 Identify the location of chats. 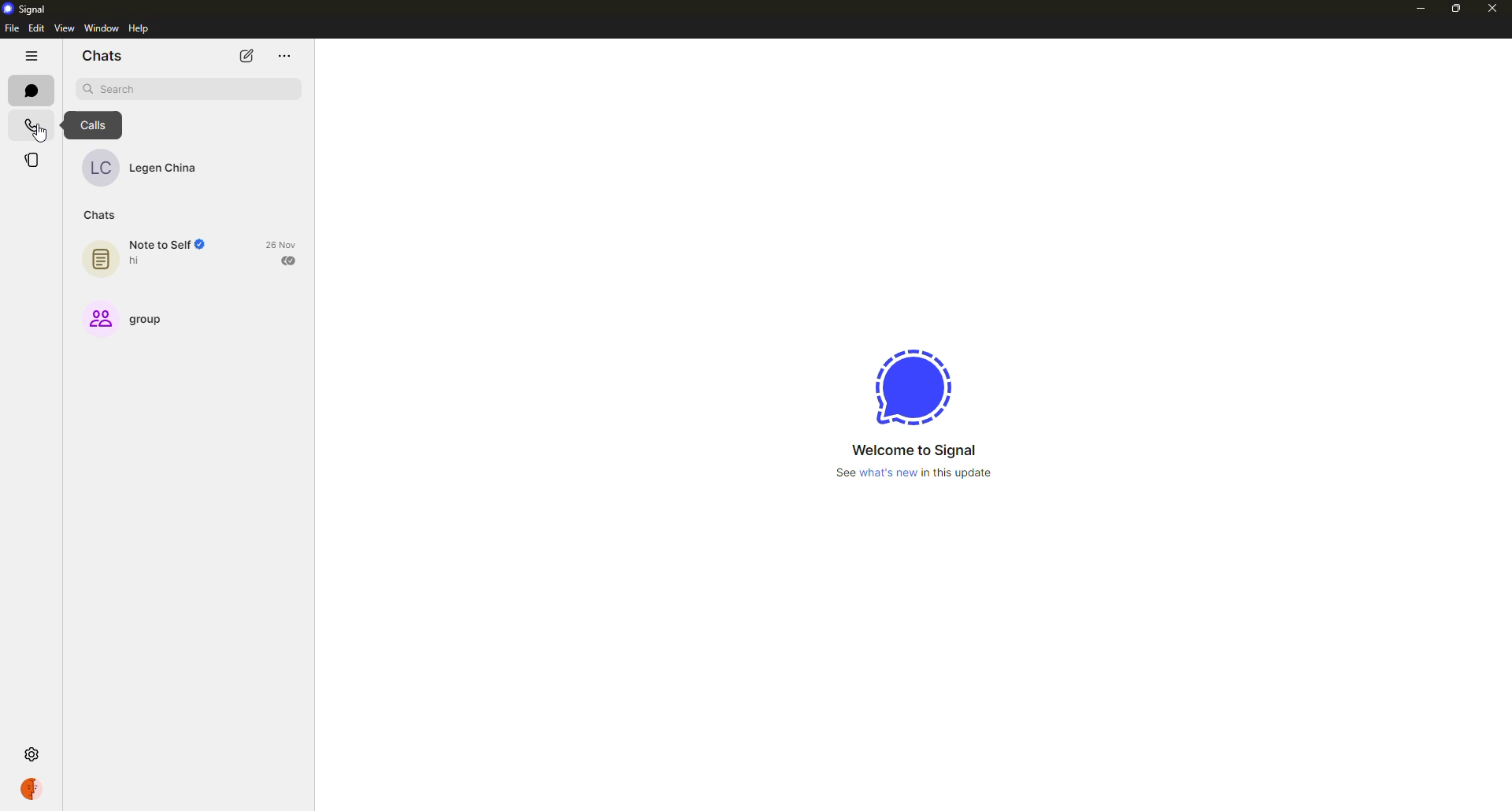
(99, 216).